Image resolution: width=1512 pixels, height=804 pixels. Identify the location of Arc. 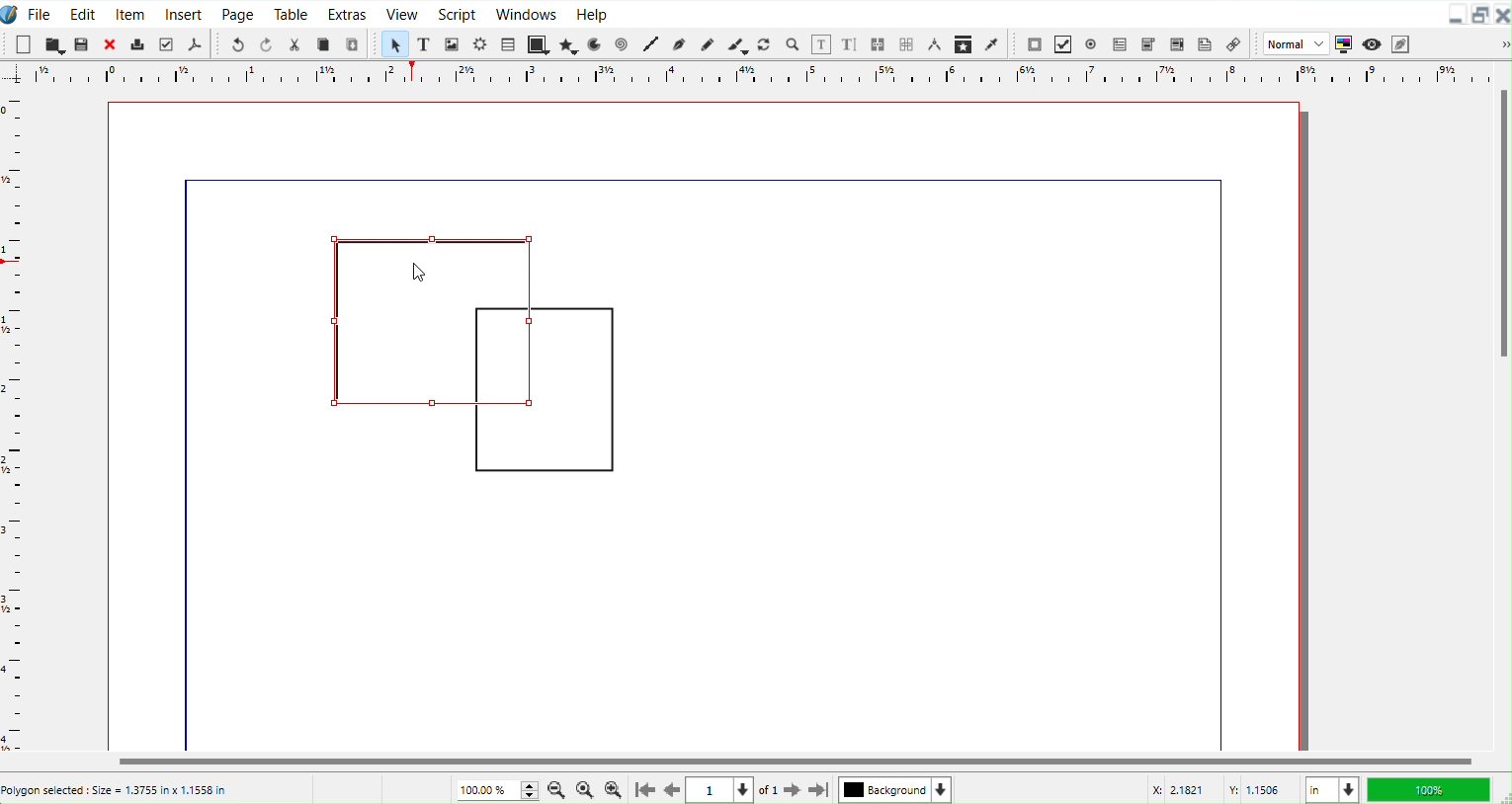
(597, 43).